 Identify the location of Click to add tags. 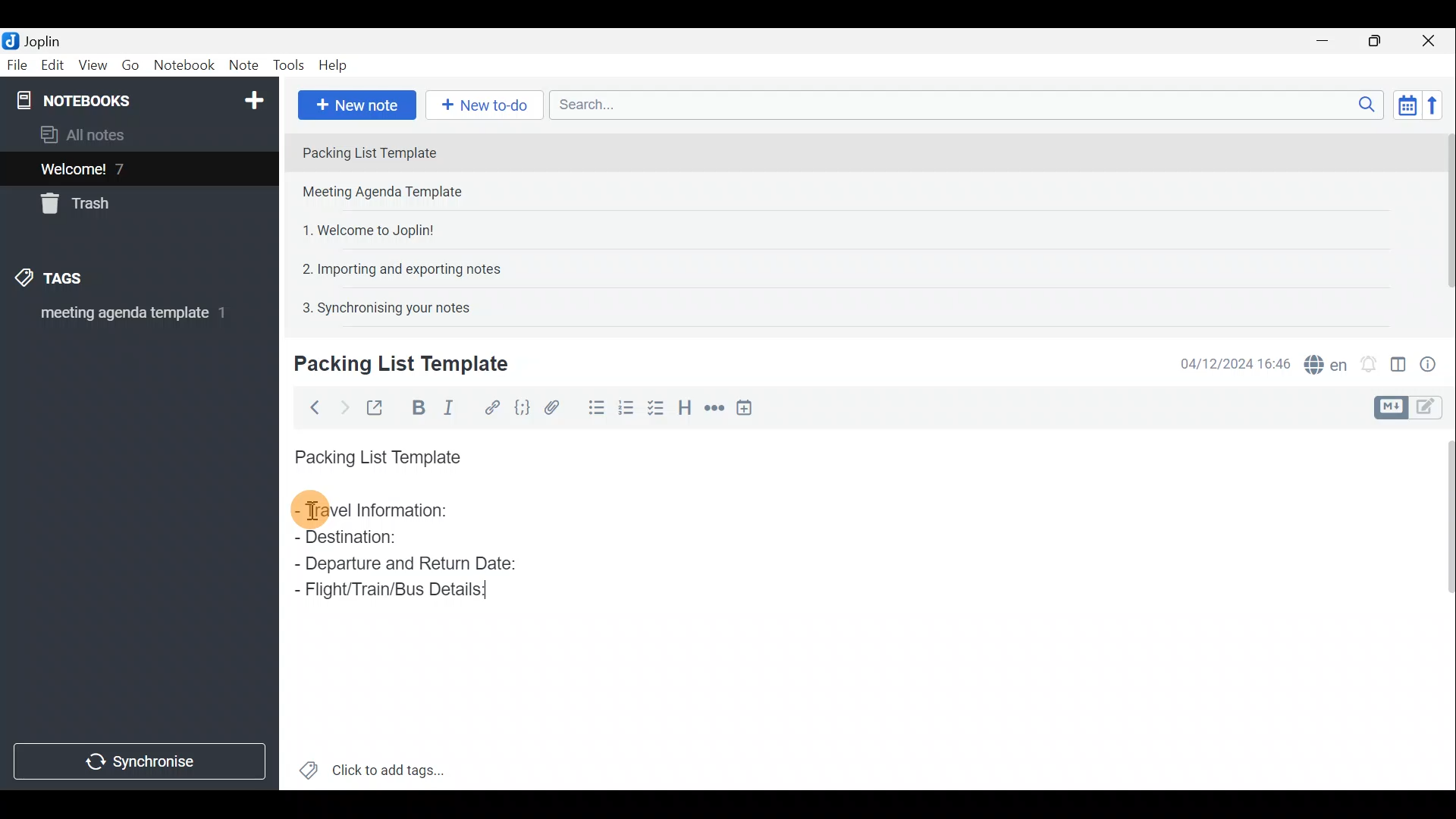
(372, 766).